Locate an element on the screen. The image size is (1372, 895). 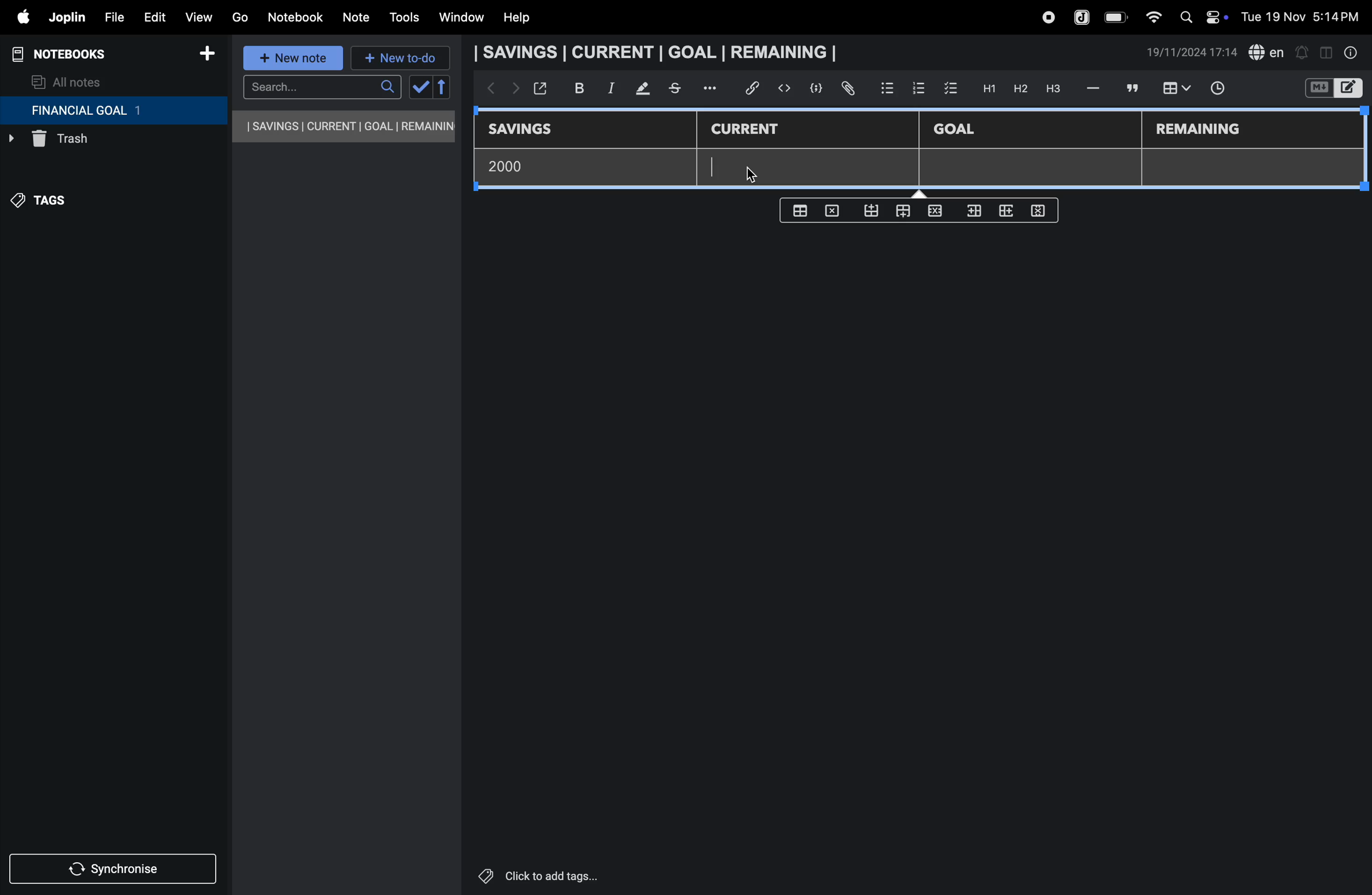
tools is located at coordinates (402, 17).